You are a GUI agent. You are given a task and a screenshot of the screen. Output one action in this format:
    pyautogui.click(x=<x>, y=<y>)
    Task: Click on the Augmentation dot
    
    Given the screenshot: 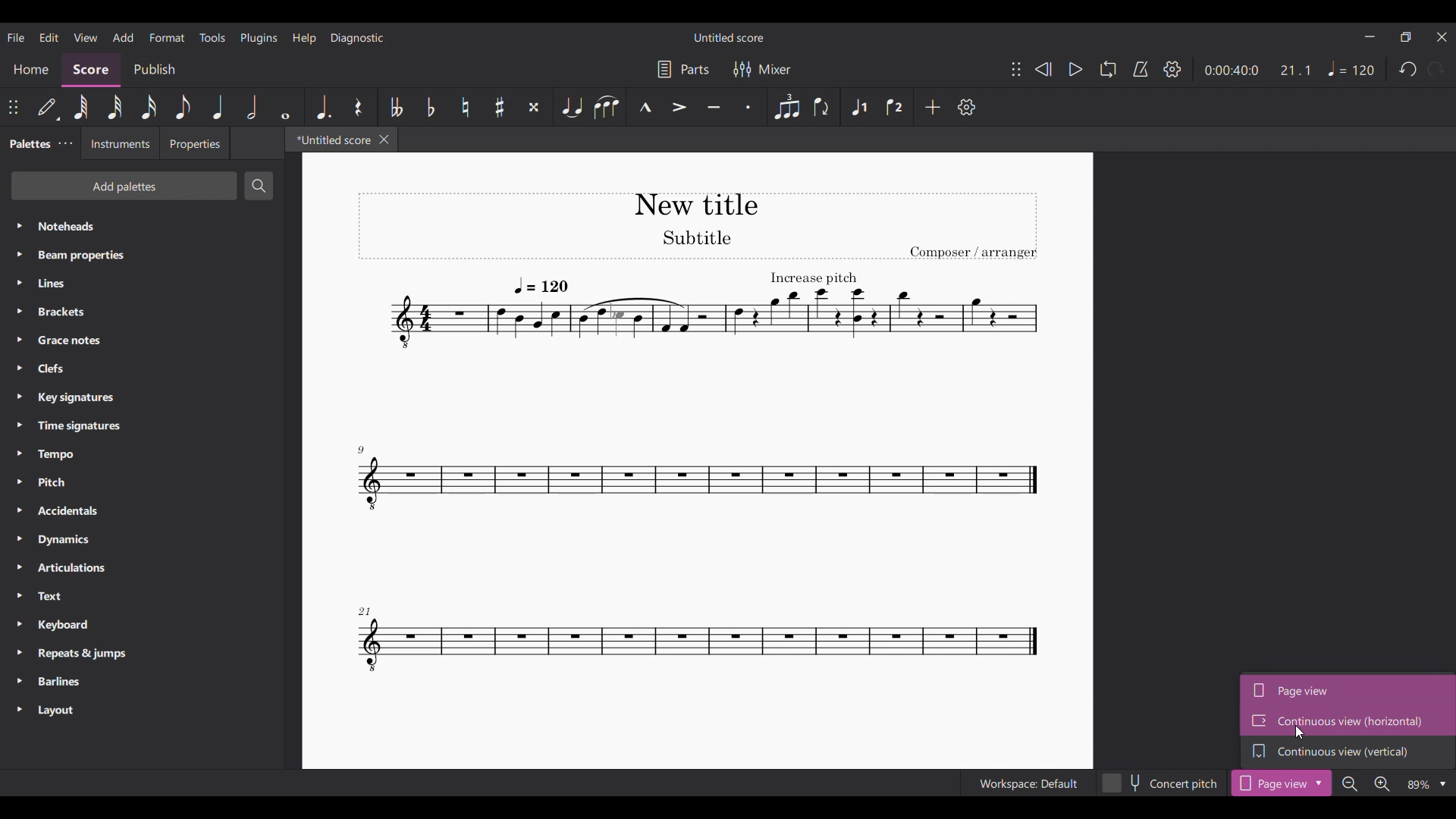 What is the action you would take?
    pyautogui.click(x=320, y=107)
    